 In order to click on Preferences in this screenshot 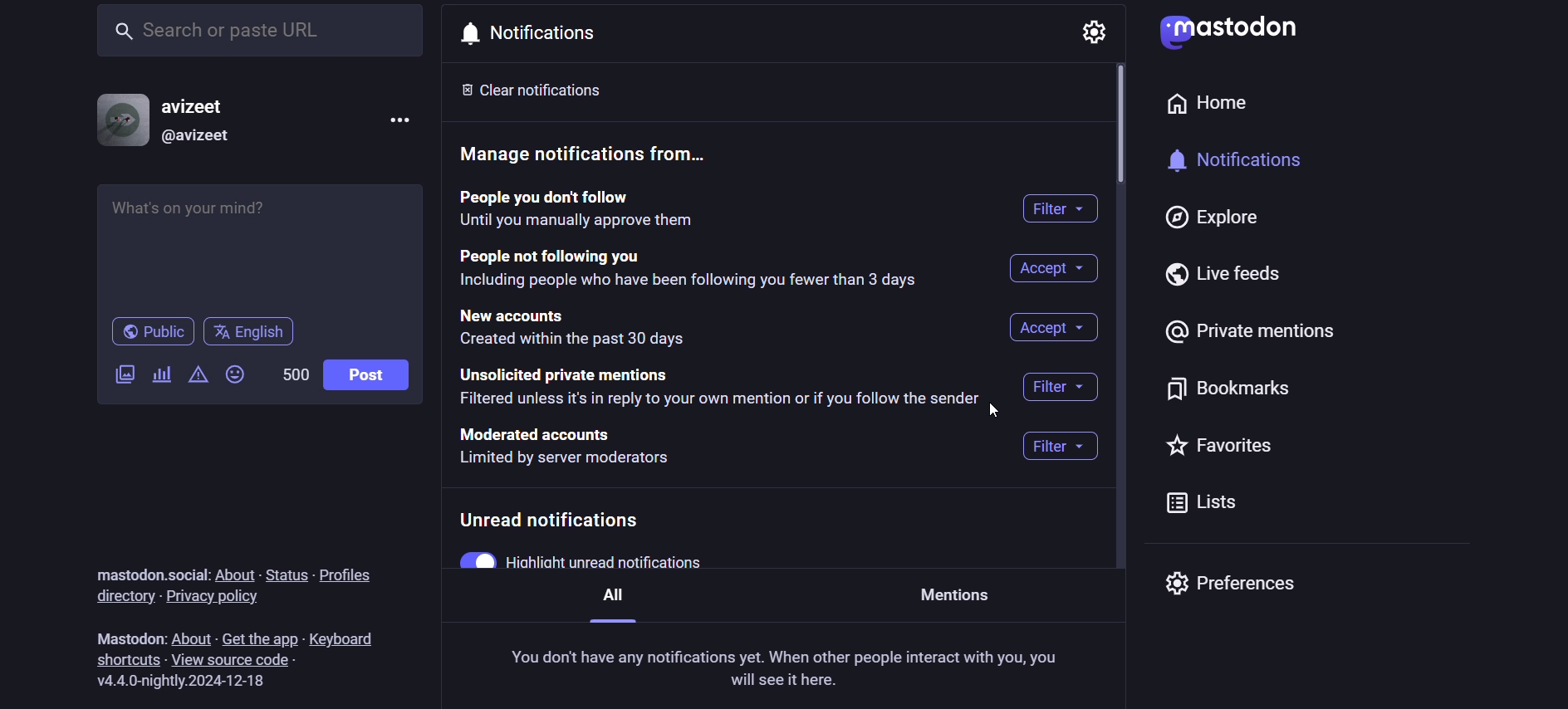, I will do `click(1227, 584)`.